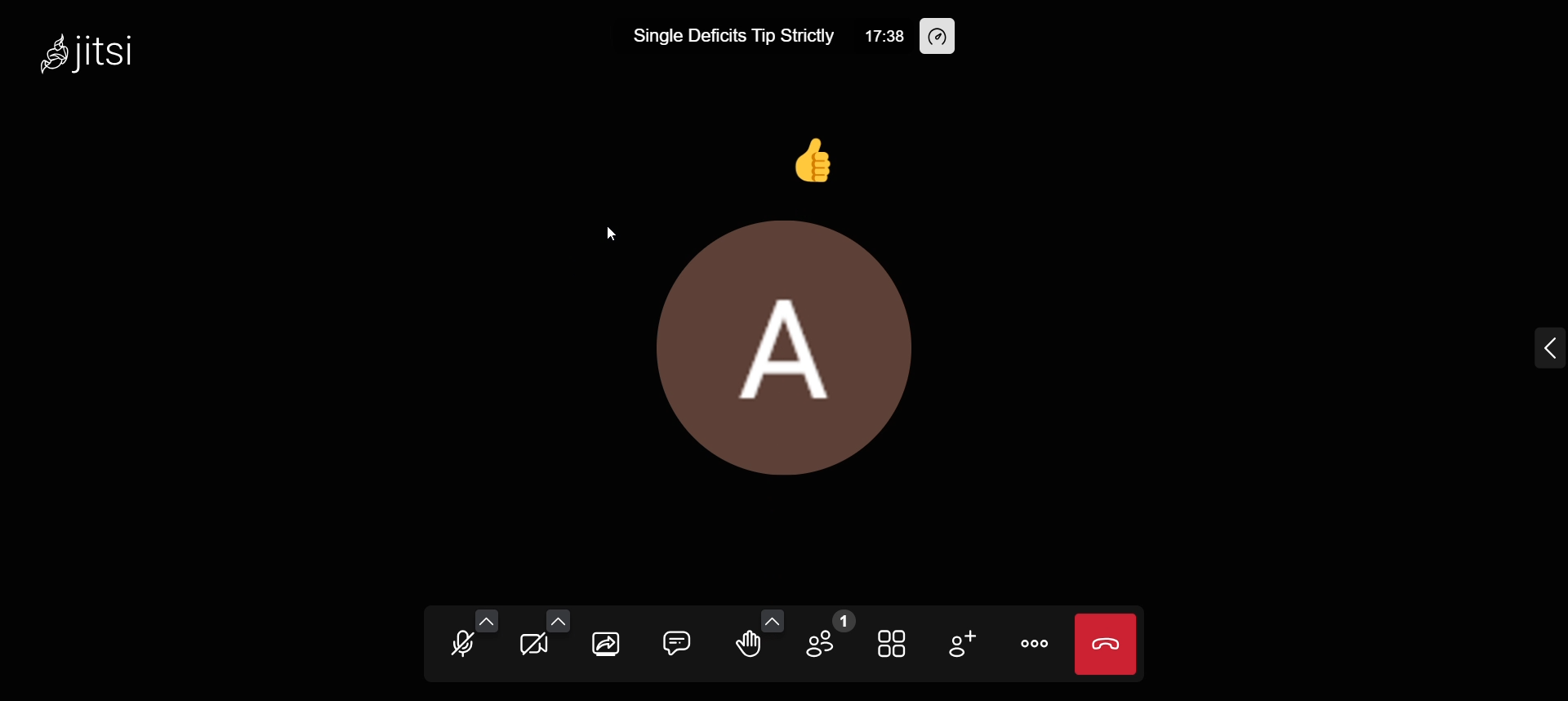  I want to click on tile view, so click(895, 645).